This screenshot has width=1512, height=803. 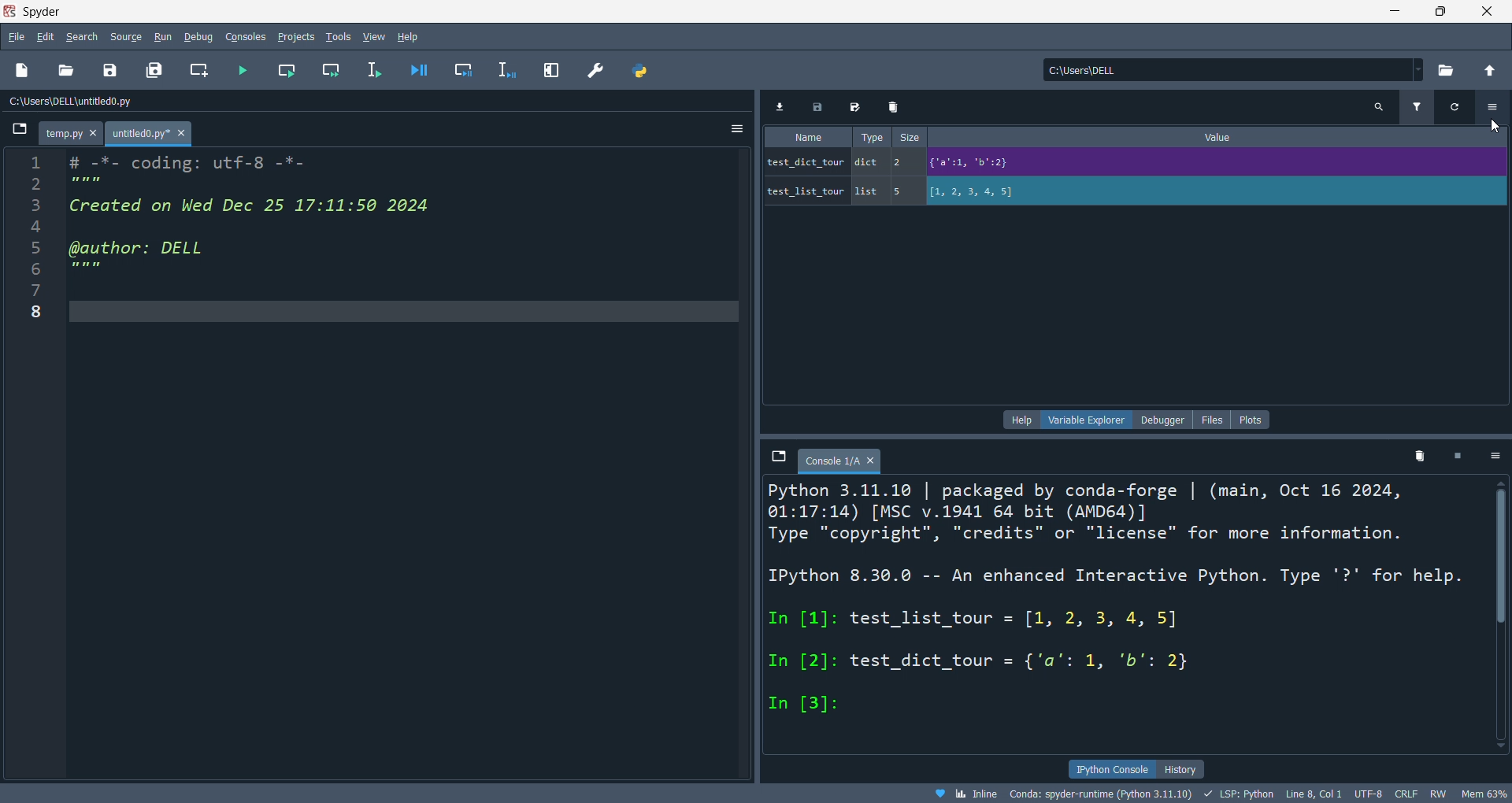 What do you see at coordinates (42, 464) in the screenshot?
I see `line number` at bounding box center [42, 464].